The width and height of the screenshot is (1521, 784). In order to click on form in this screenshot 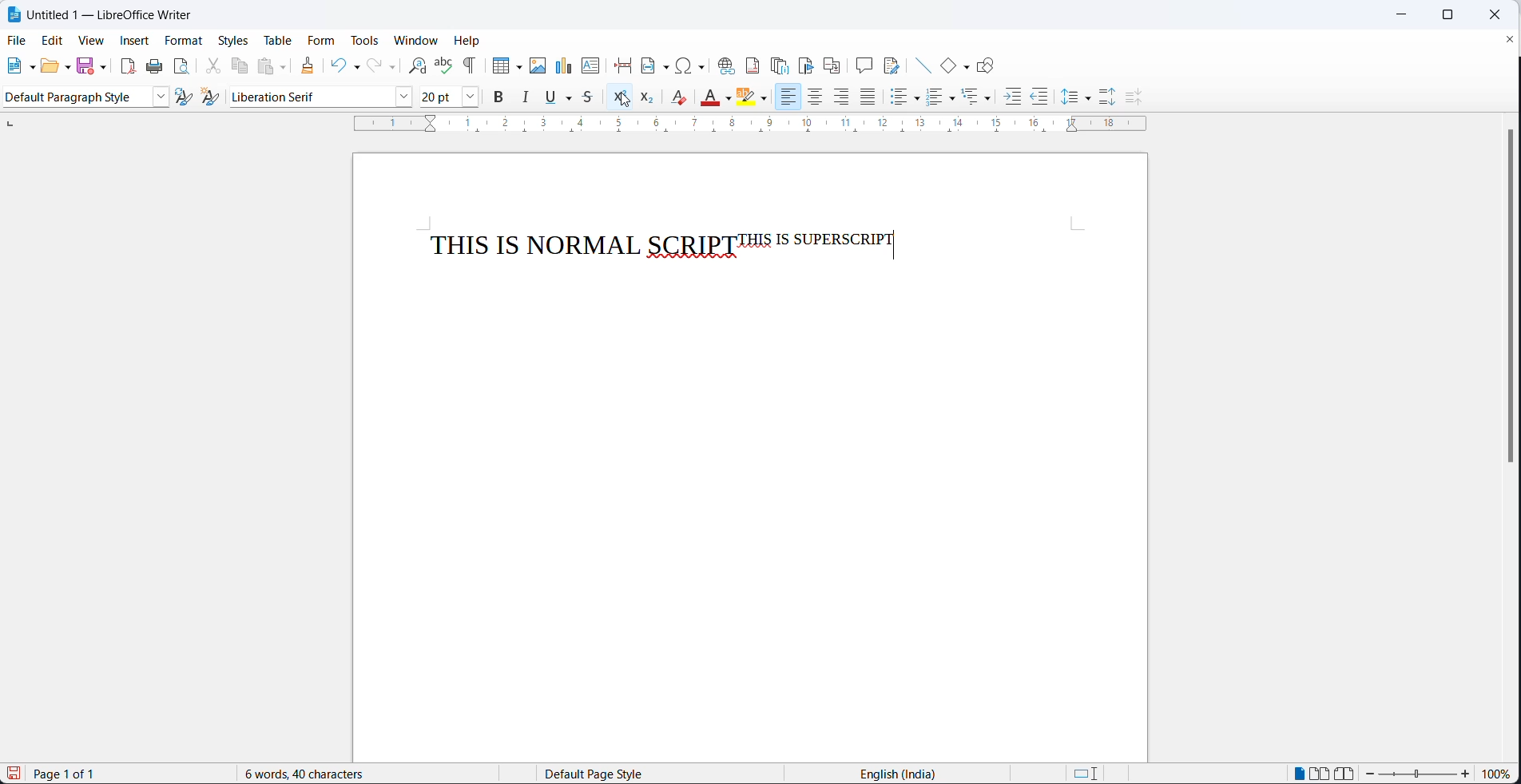, I will do `click(323, 42)`.